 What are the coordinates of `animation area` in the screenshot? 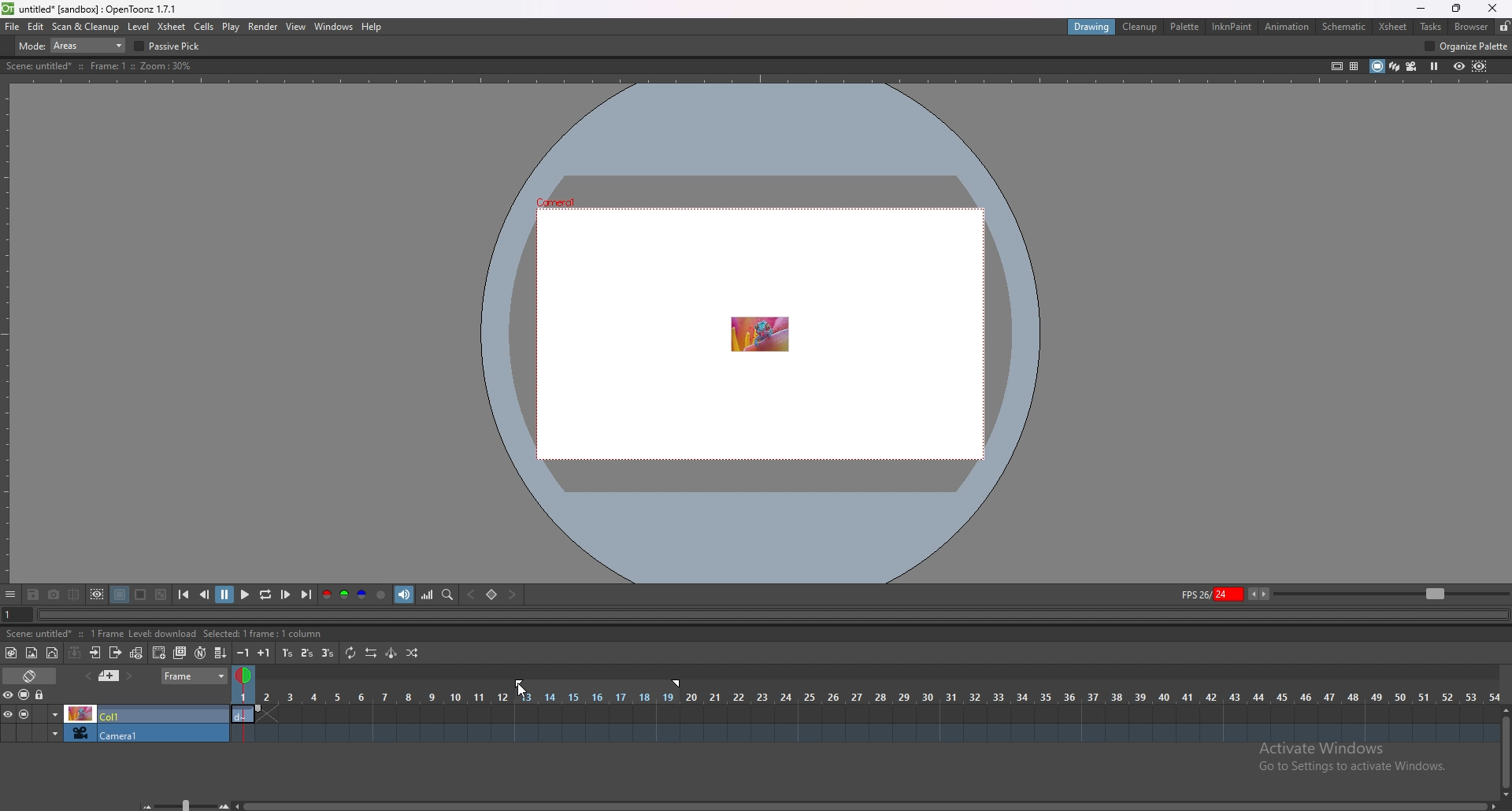 It's located at (758, 332).